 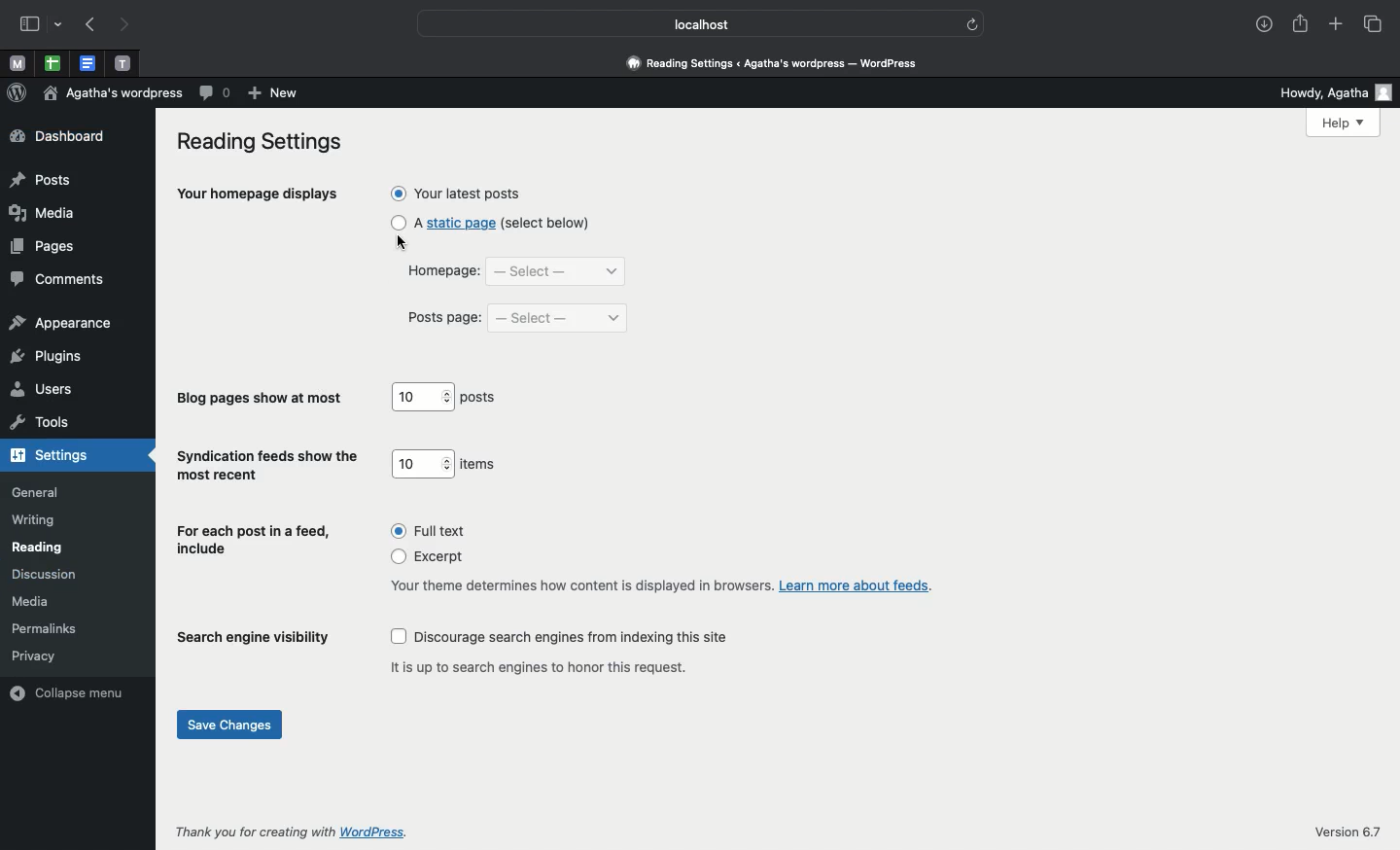 I want to click on reading settings < agatha's wordpress - wordpress, so click(x=783, y=64).